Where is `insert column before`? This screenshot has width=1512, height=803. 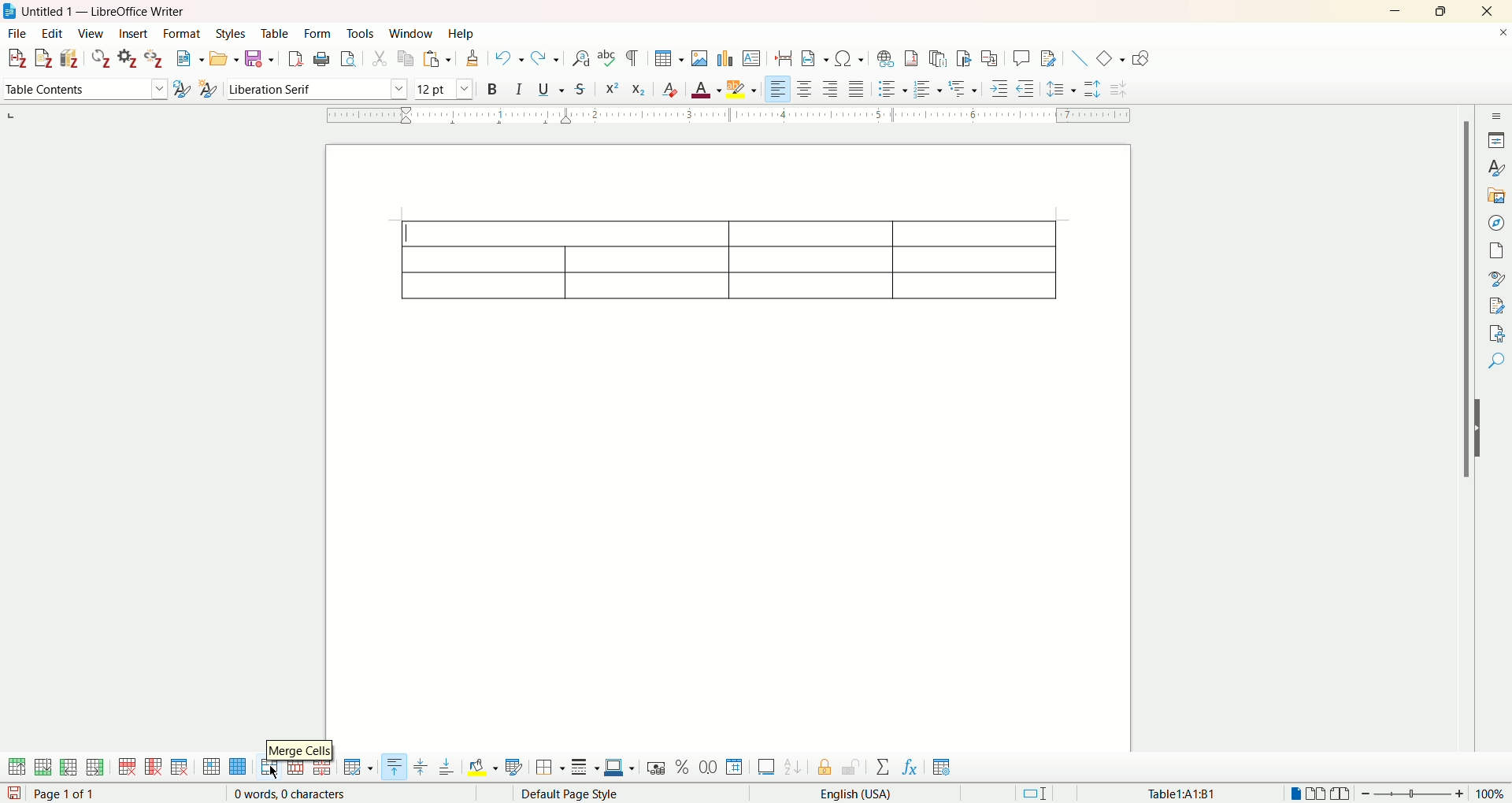 insert column before is located at coordinates (72, 764).